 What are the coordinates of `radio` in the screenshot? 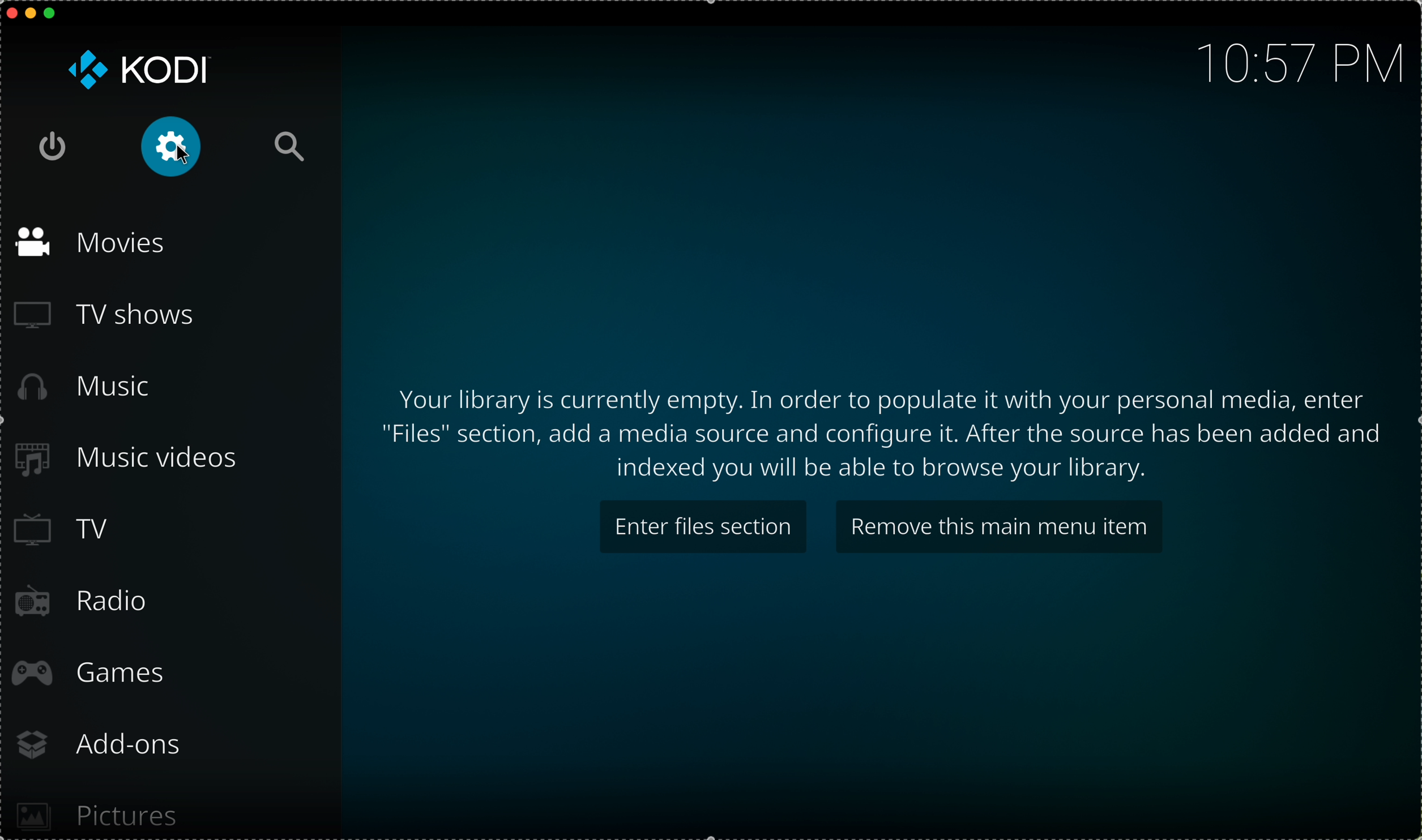 It's located at (85, 603).